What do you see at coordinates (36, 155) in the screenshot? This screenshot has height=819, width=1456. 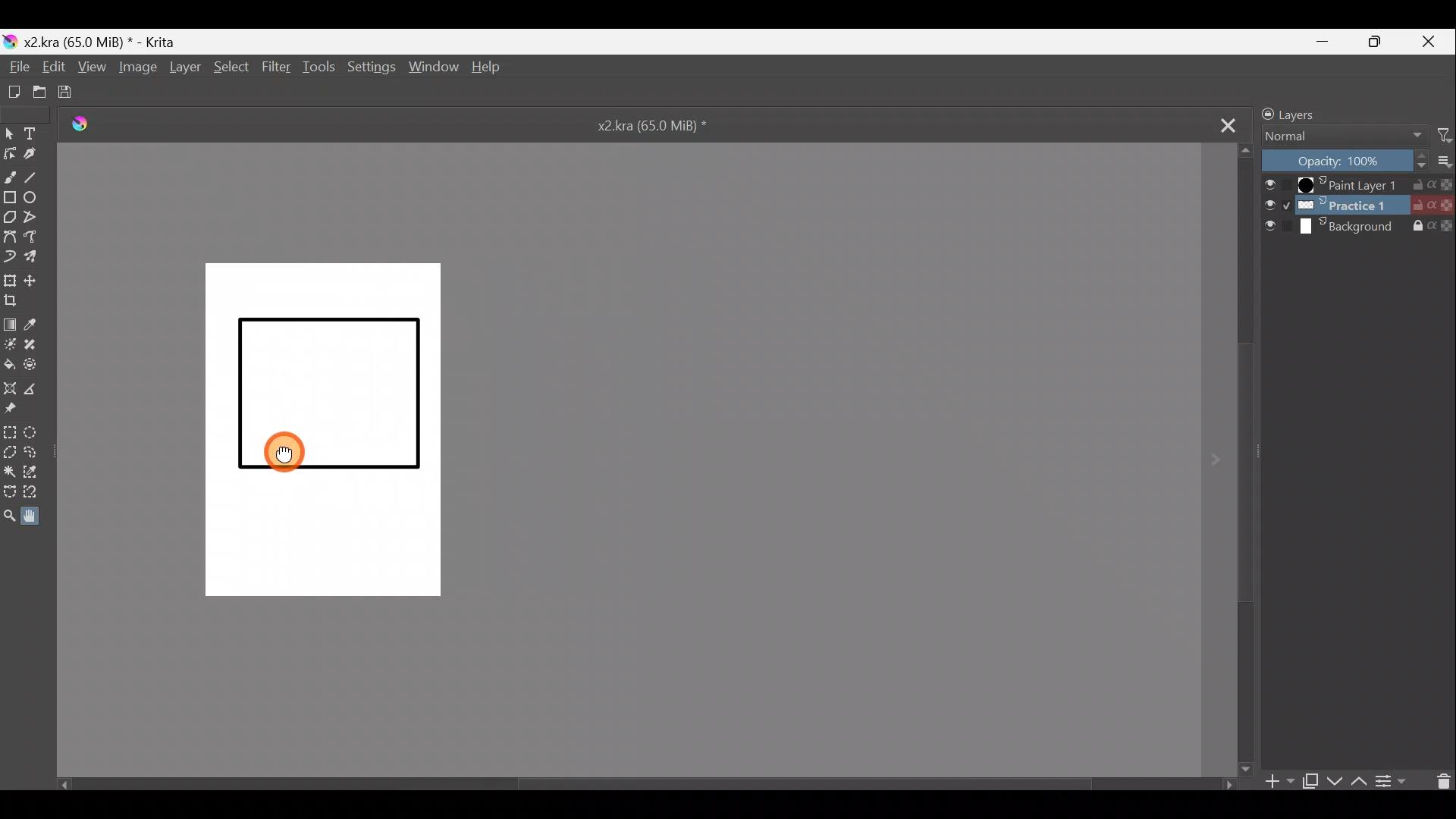 I see `Calligraphy` at bounding box center [36, 155].